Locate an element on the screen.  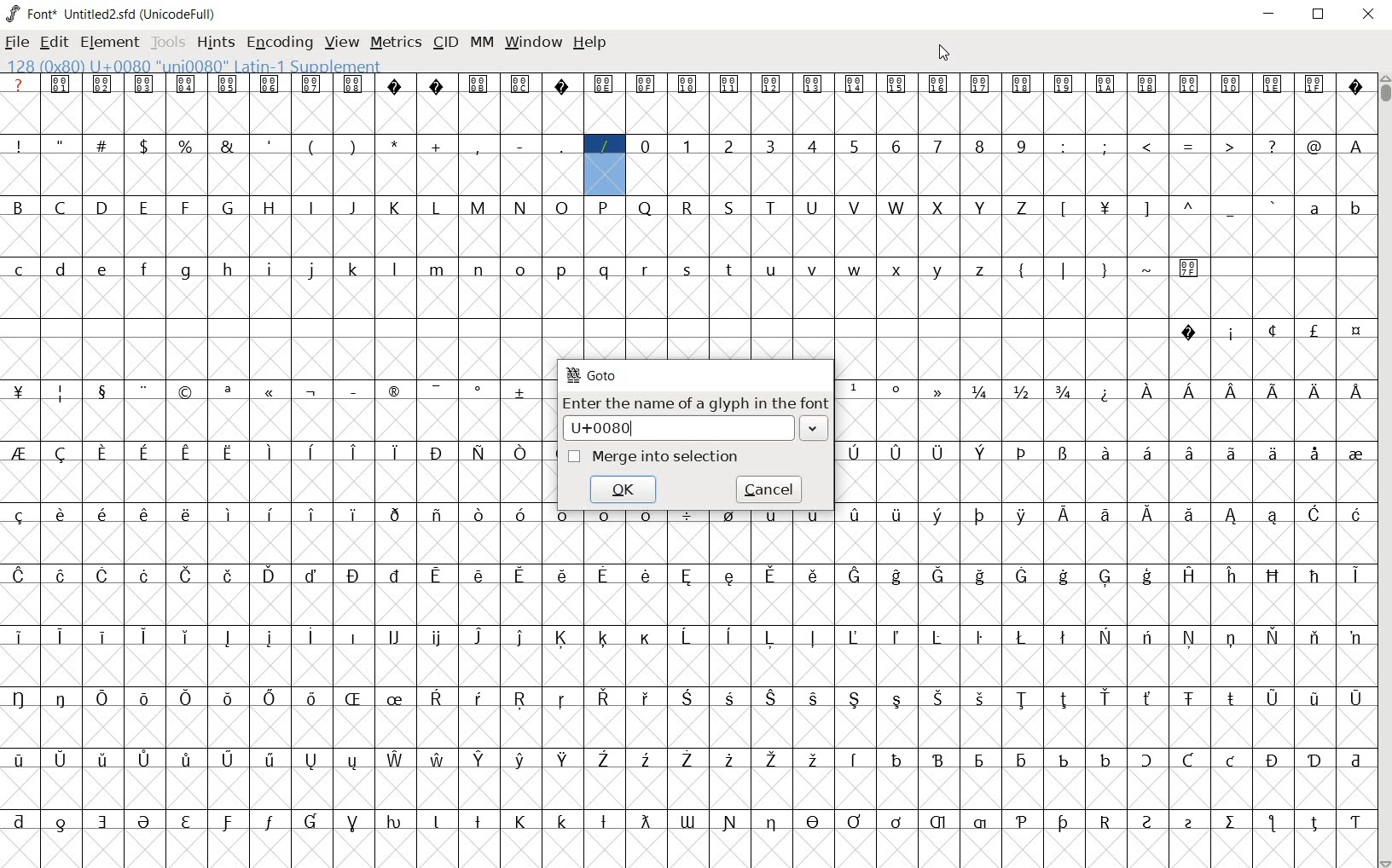
glyph is located at coordinates (270, 698).